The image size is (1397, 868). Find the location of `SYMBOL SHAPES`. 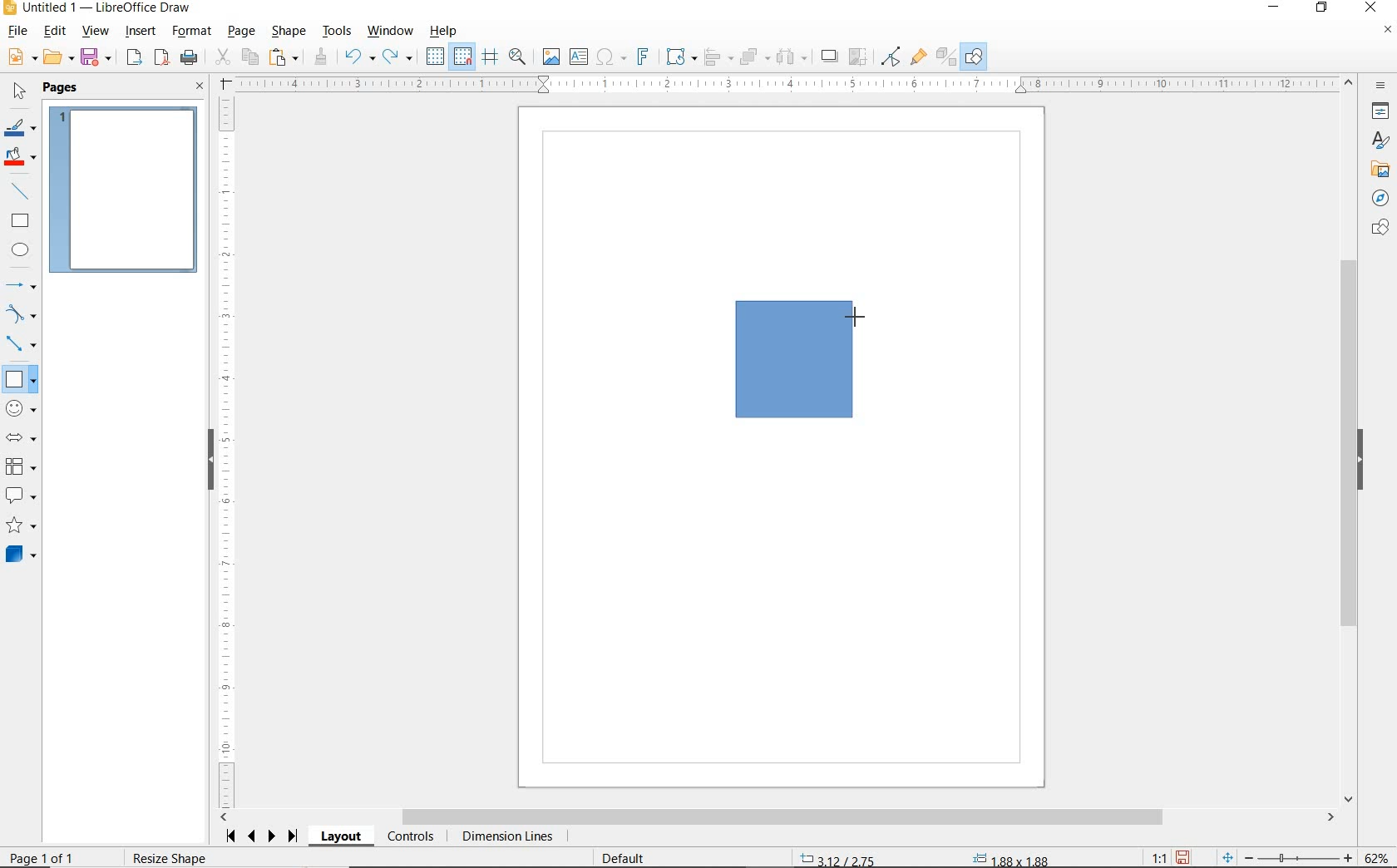

SYMBOL SHAPES is located at coordinates (22, 407).